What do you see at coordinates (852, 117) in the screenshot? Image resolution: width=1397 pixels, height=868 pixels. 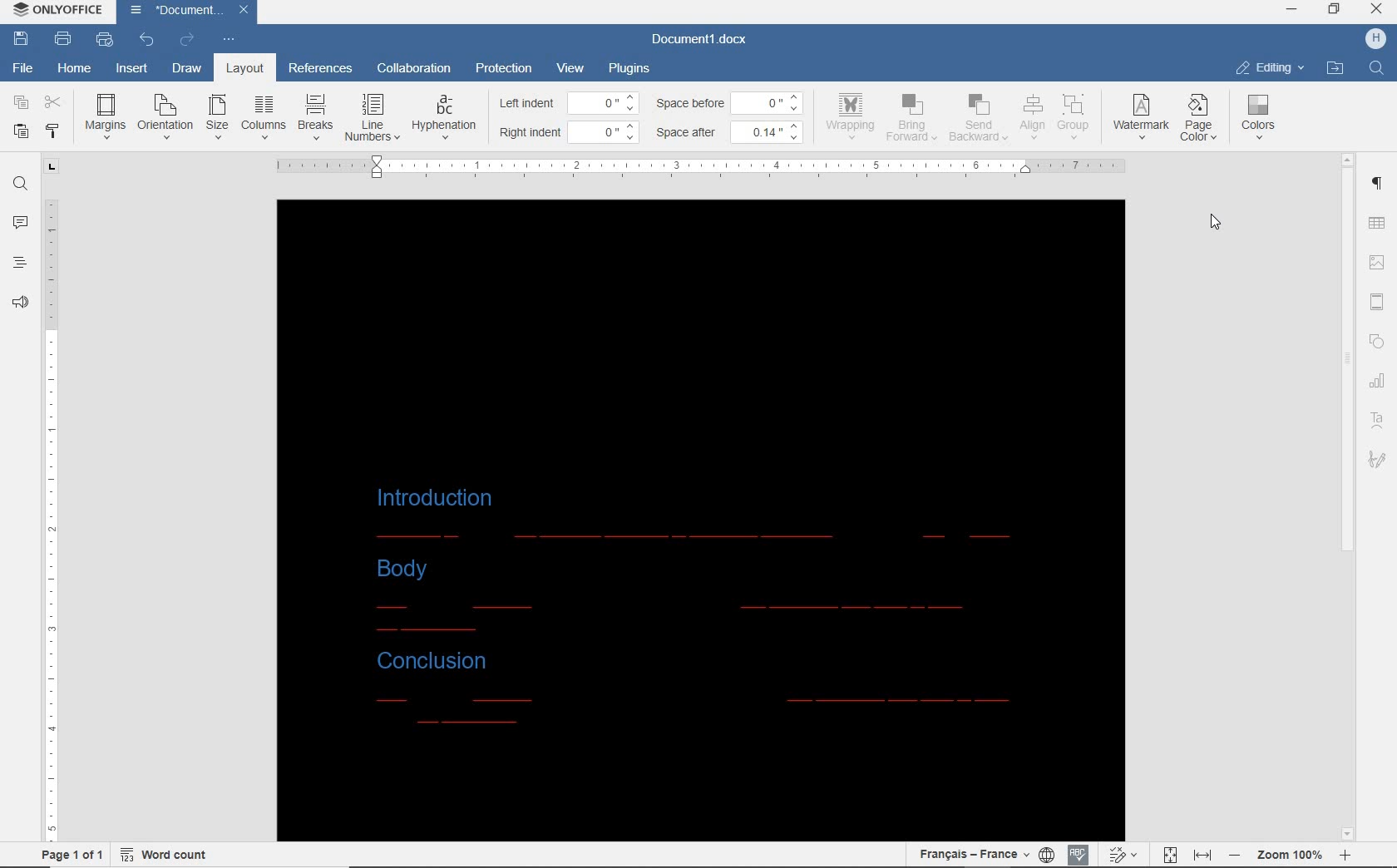 I see `wrapping` at bounding box center [852, 117].